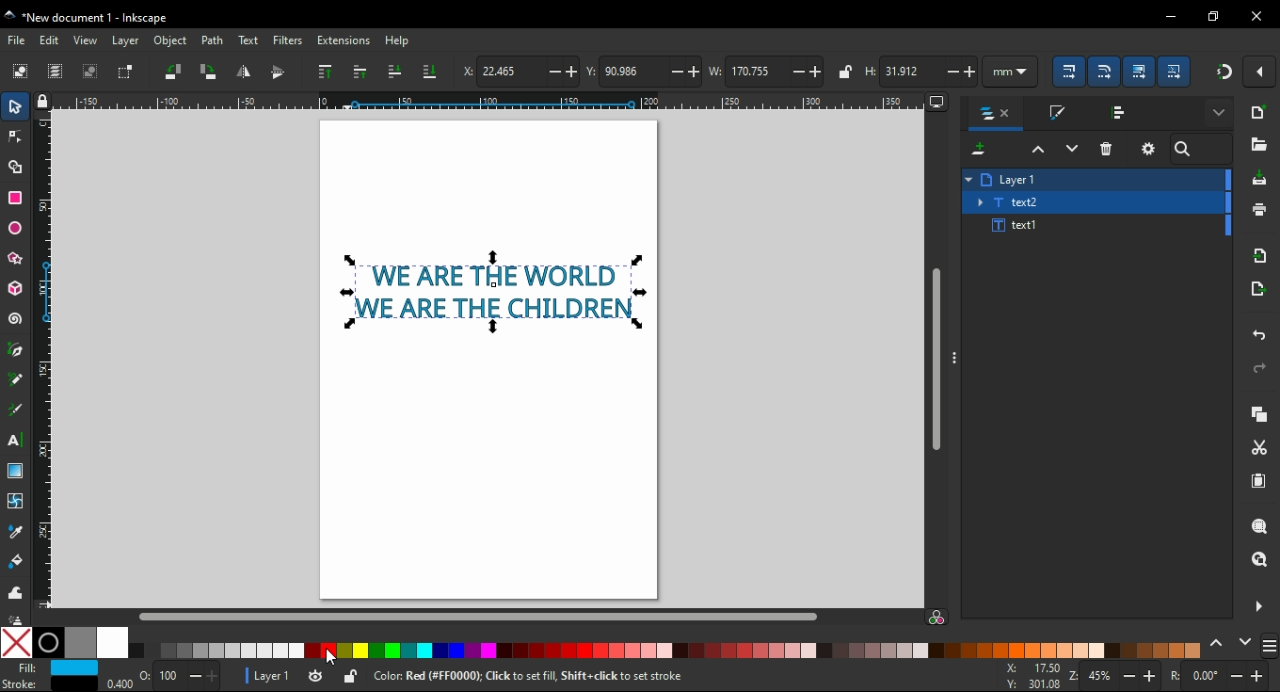  What do you see at coordinates (244, 72) in the screenshot?
I see `flip horizontal` at bounding box center [244, 72].